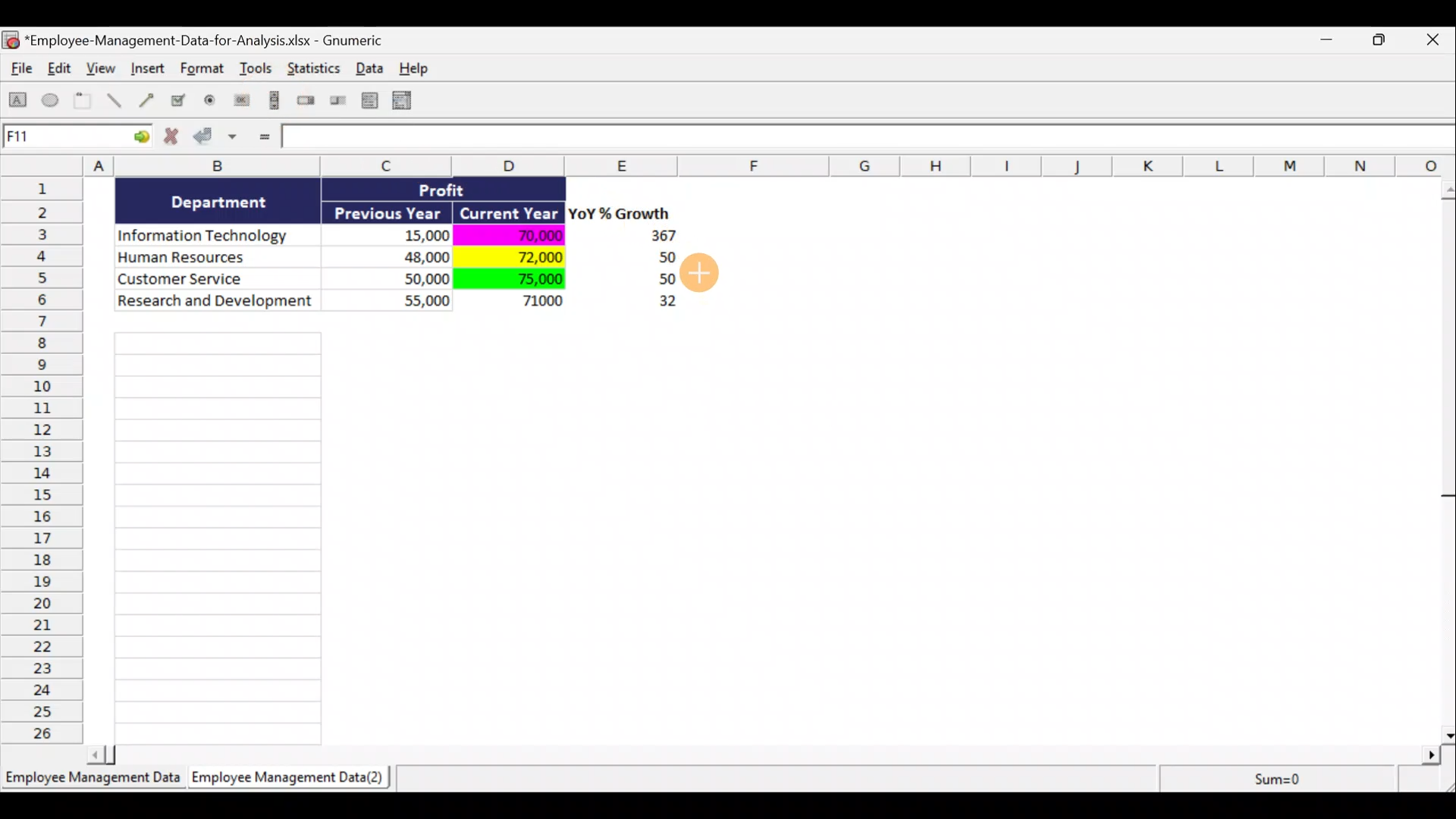 This screenshot has height=819, width=1456. Describe the element at coordinates (103, 68) in the screenshot. I see `View` at that location.